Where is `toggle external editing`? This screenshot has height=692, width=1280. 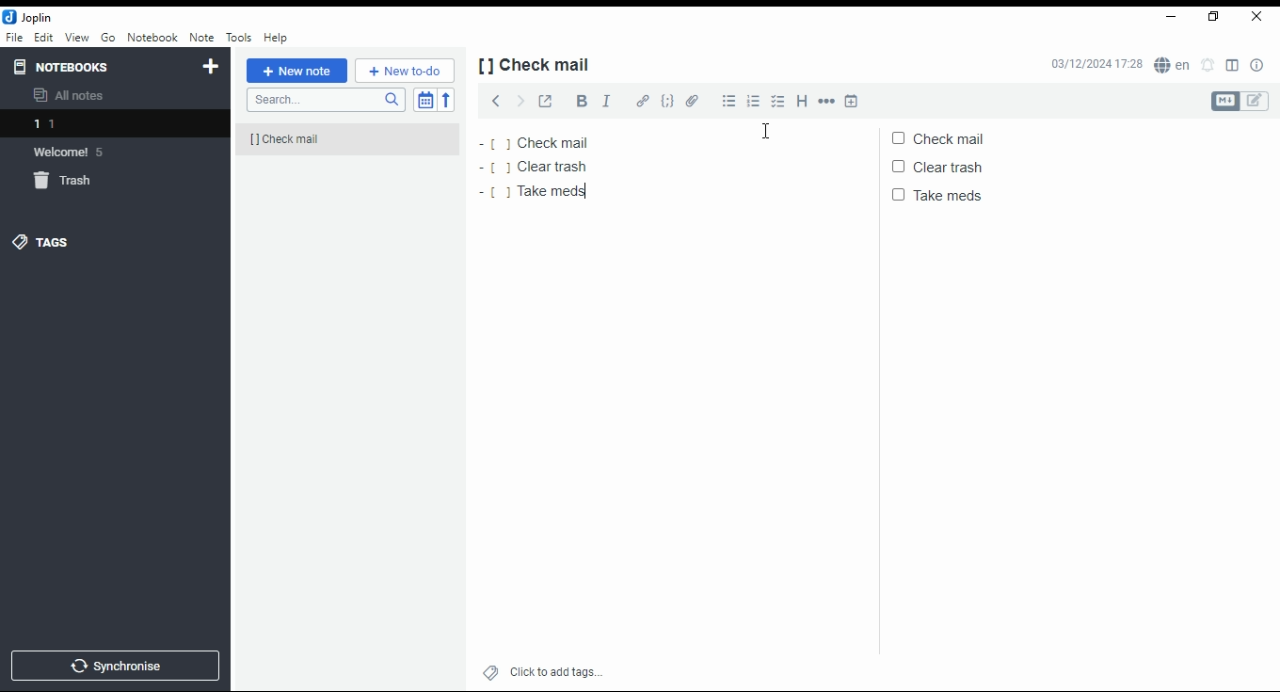
toggle external editing is located at coordinates (545, 101).